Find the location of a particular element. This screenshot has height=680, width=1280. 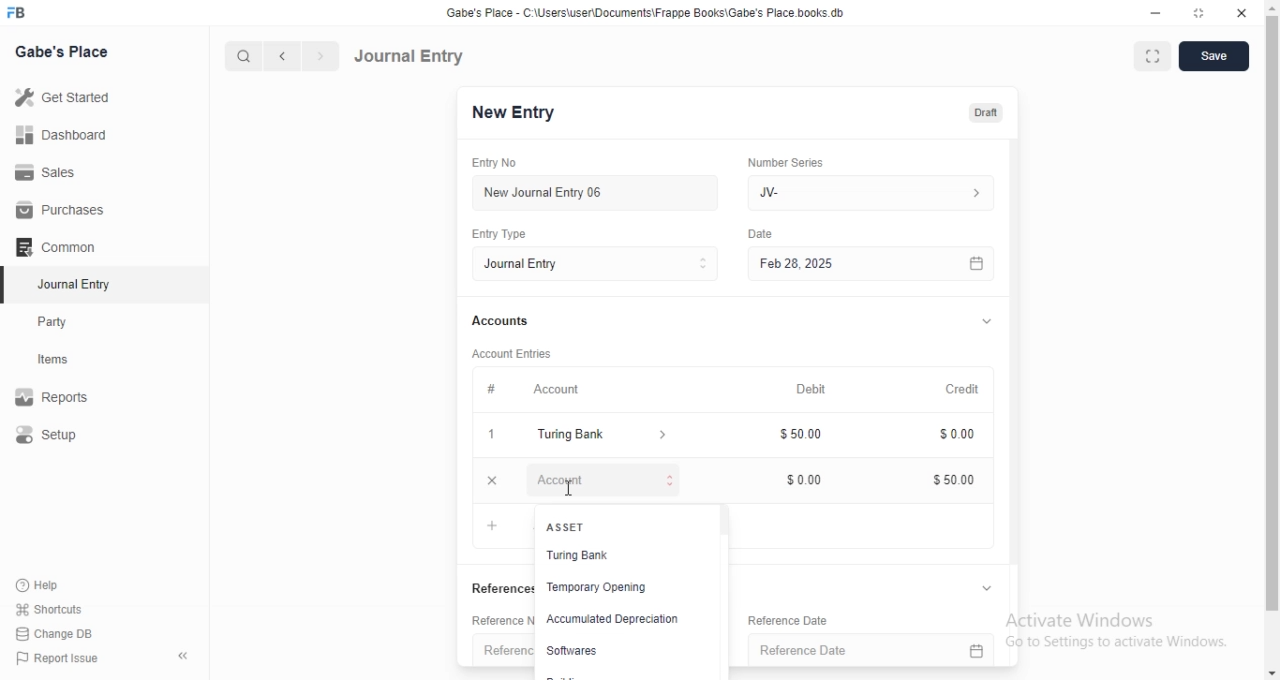

move down is located at coordinates (1272, 675).